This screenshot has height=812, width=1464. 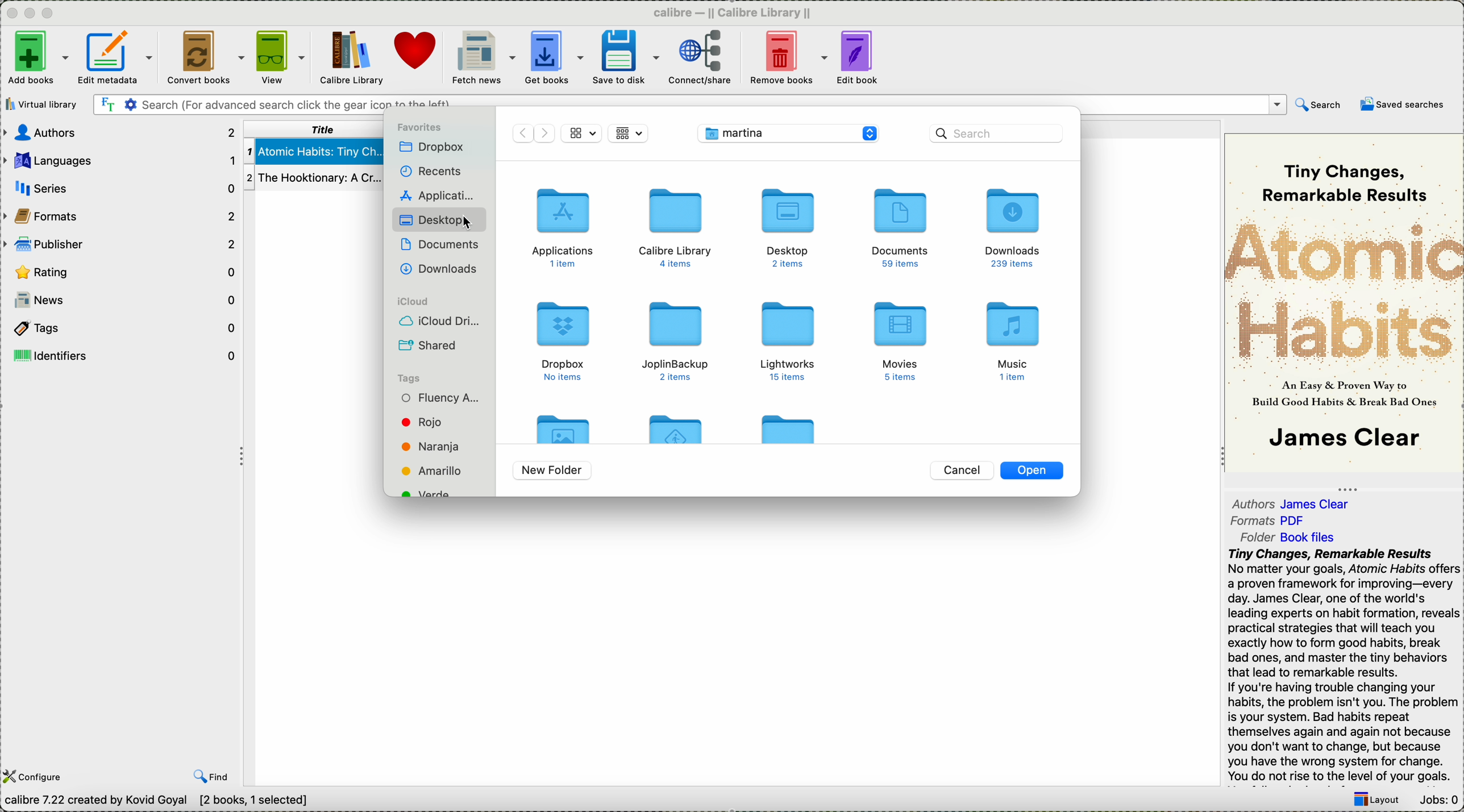 What do you see at coordinates (963, 470) in the screenshot?
I see `cancel` at bounding box center [963, 470].